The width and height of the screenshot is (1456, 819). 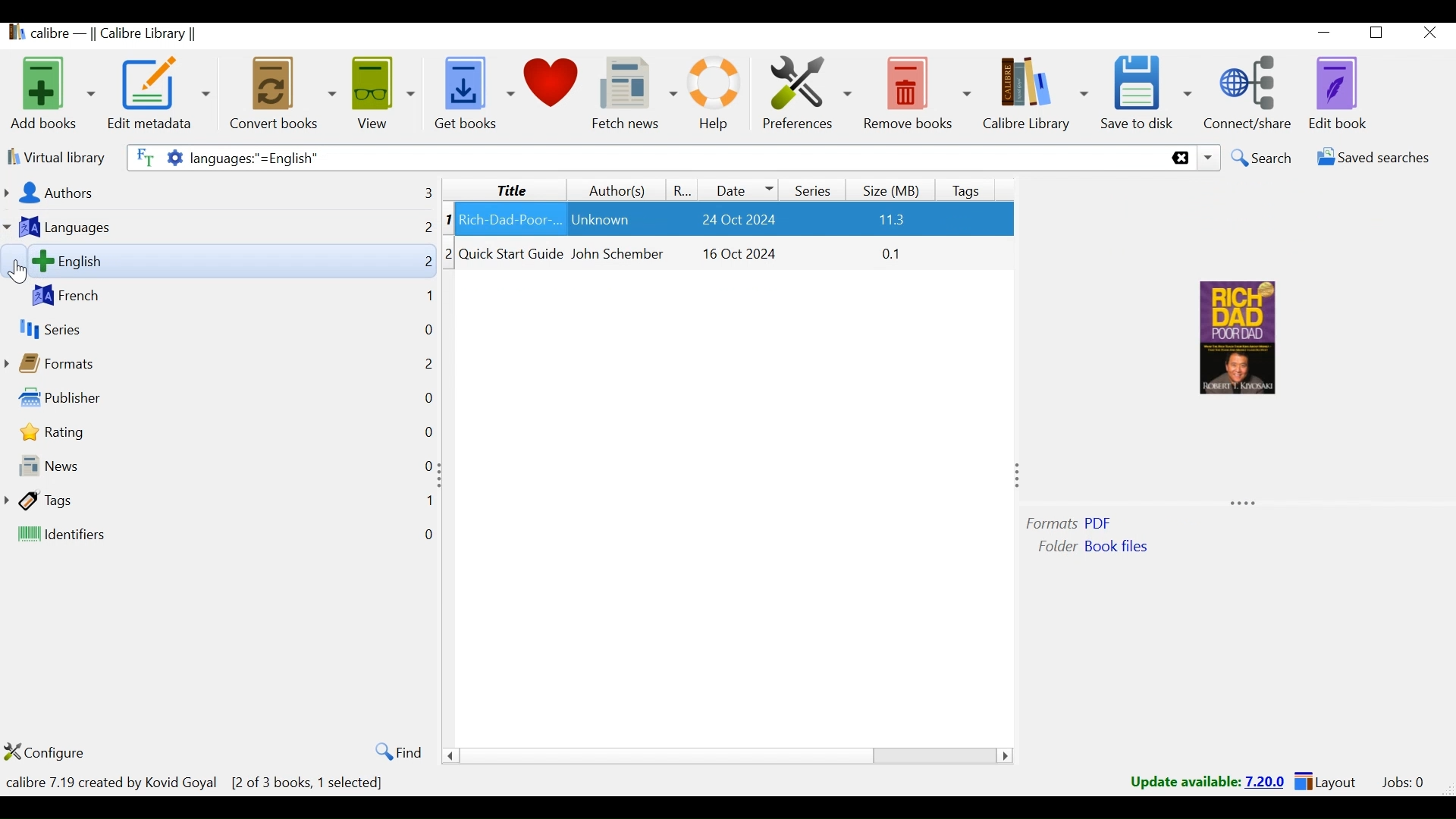 I want to click on find, so click(x=394, y=752).